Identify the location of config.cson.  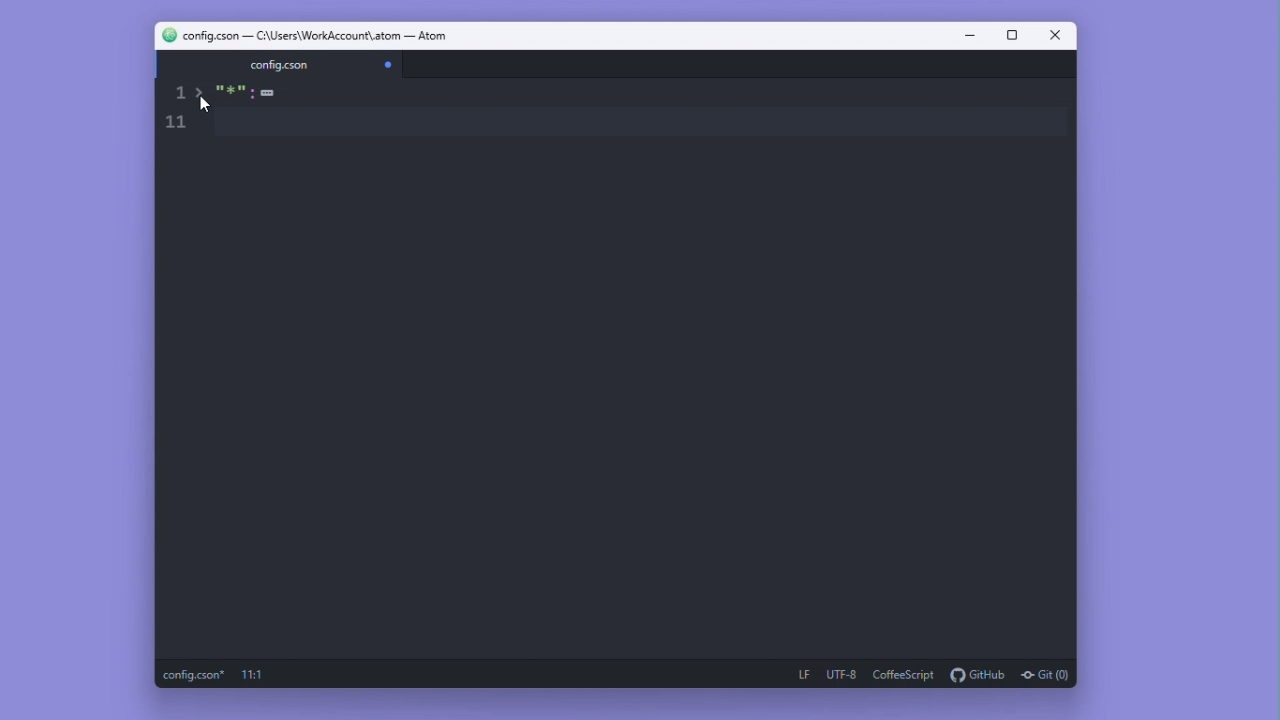
(281, 64).